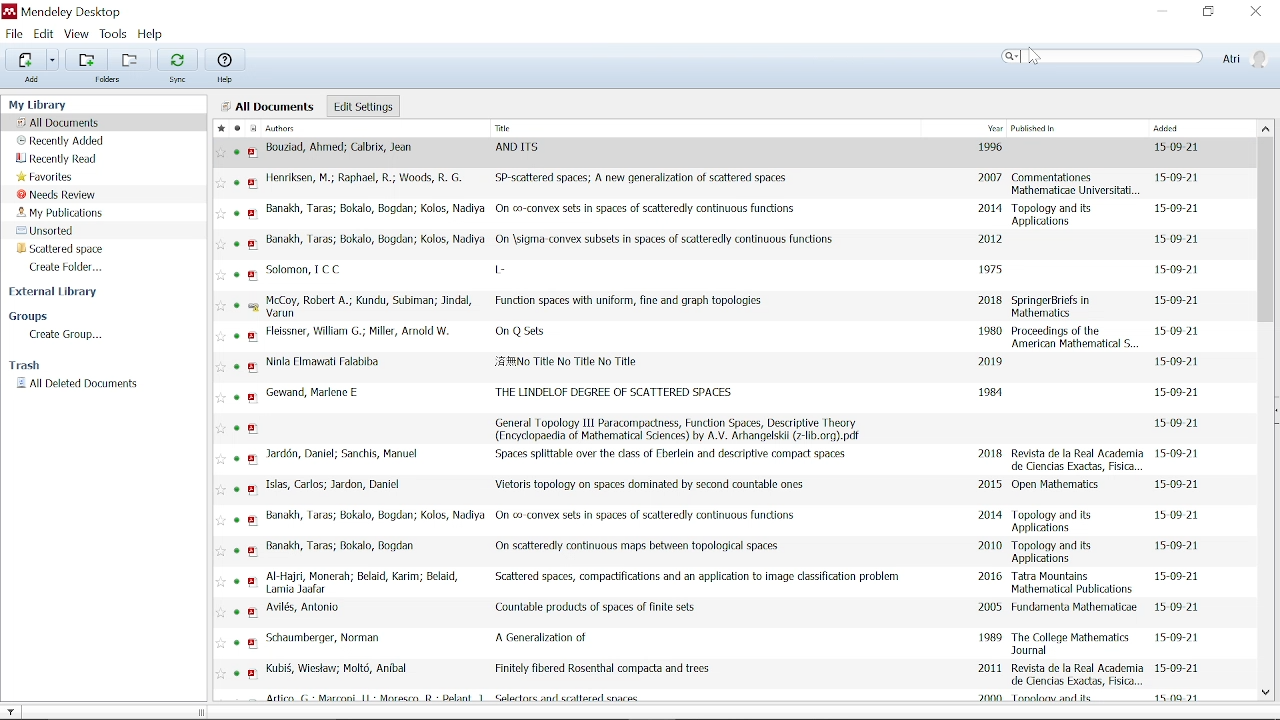 Image resolution: width=1280 pixels, height=720 pixels. What do you see at coordinates (221, 459) in the screenshot?
I see `Add to favorite` at bounding box center [221, 459].